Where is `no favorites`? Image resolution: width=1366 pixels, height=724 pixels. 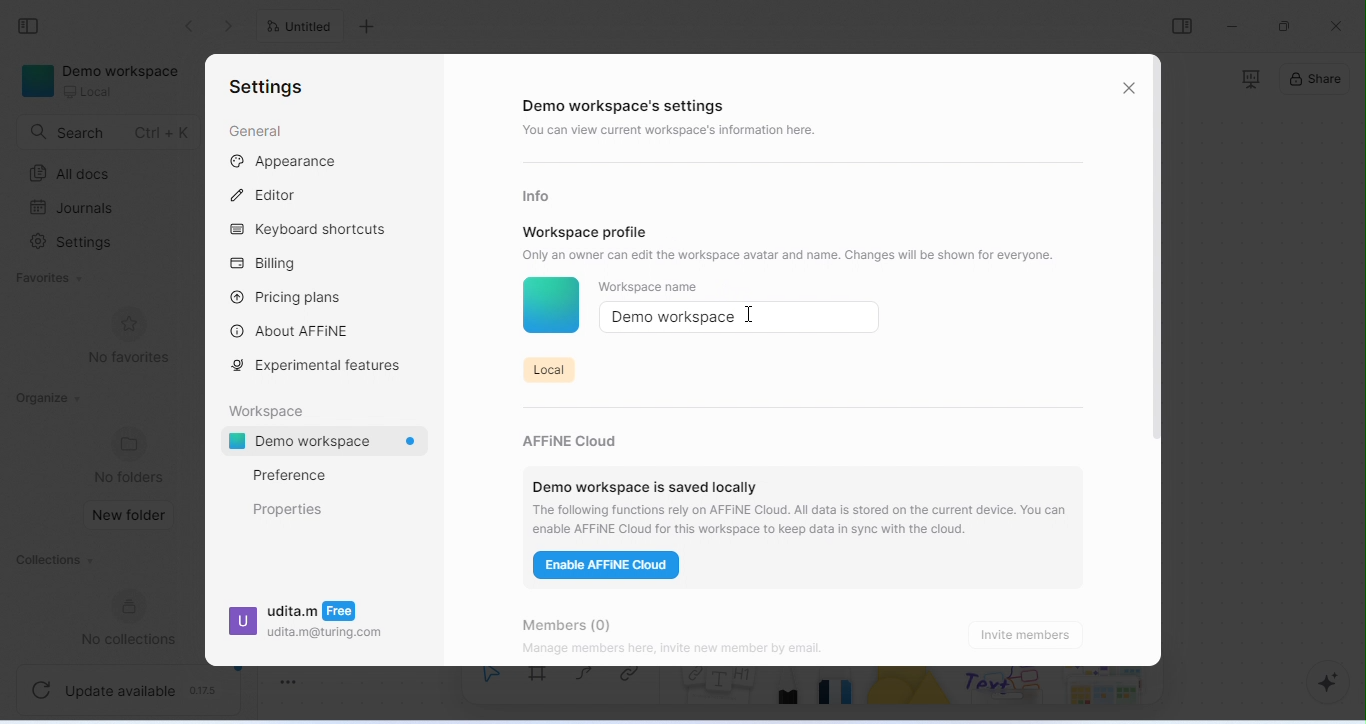
no favorites is located at coordinates (128, 337).